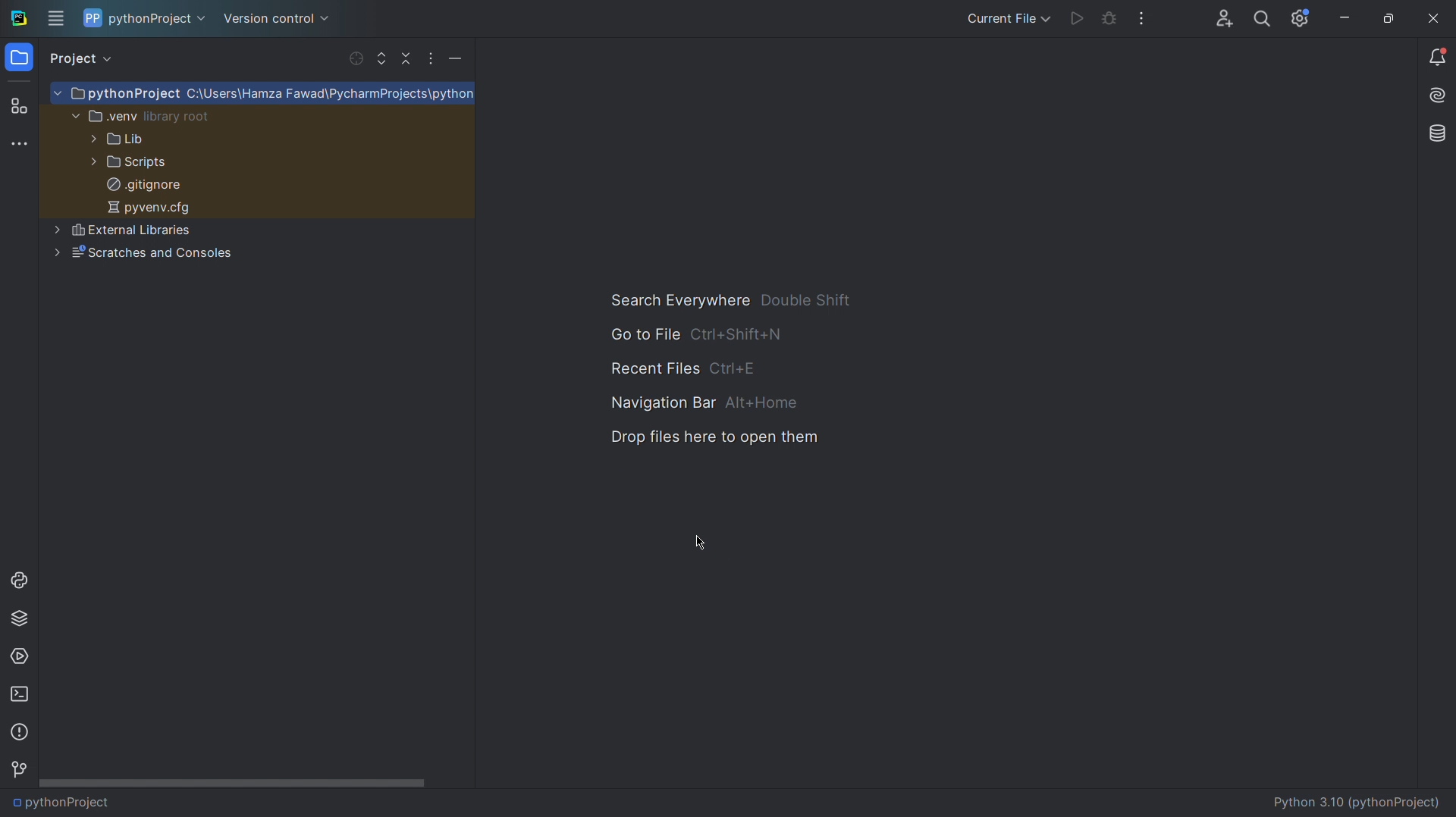 Image resolution: width=1456 pixels, height=817 pixels. Describe the element at coordinates (149, 208) in the screenshot. I see `pyvenv.cfg` at that location.